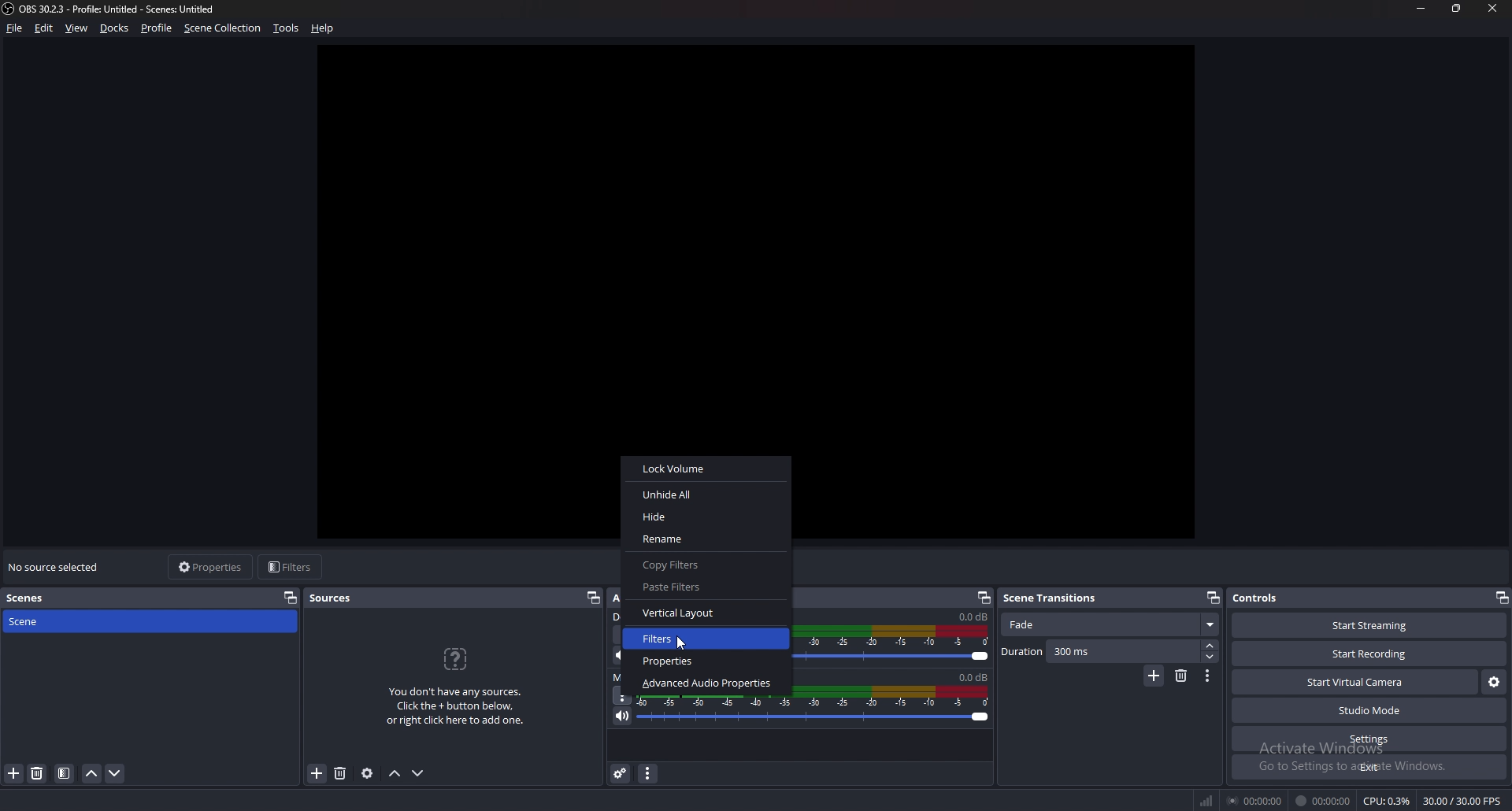  I want to click on remove transition, so click(1182, 678).